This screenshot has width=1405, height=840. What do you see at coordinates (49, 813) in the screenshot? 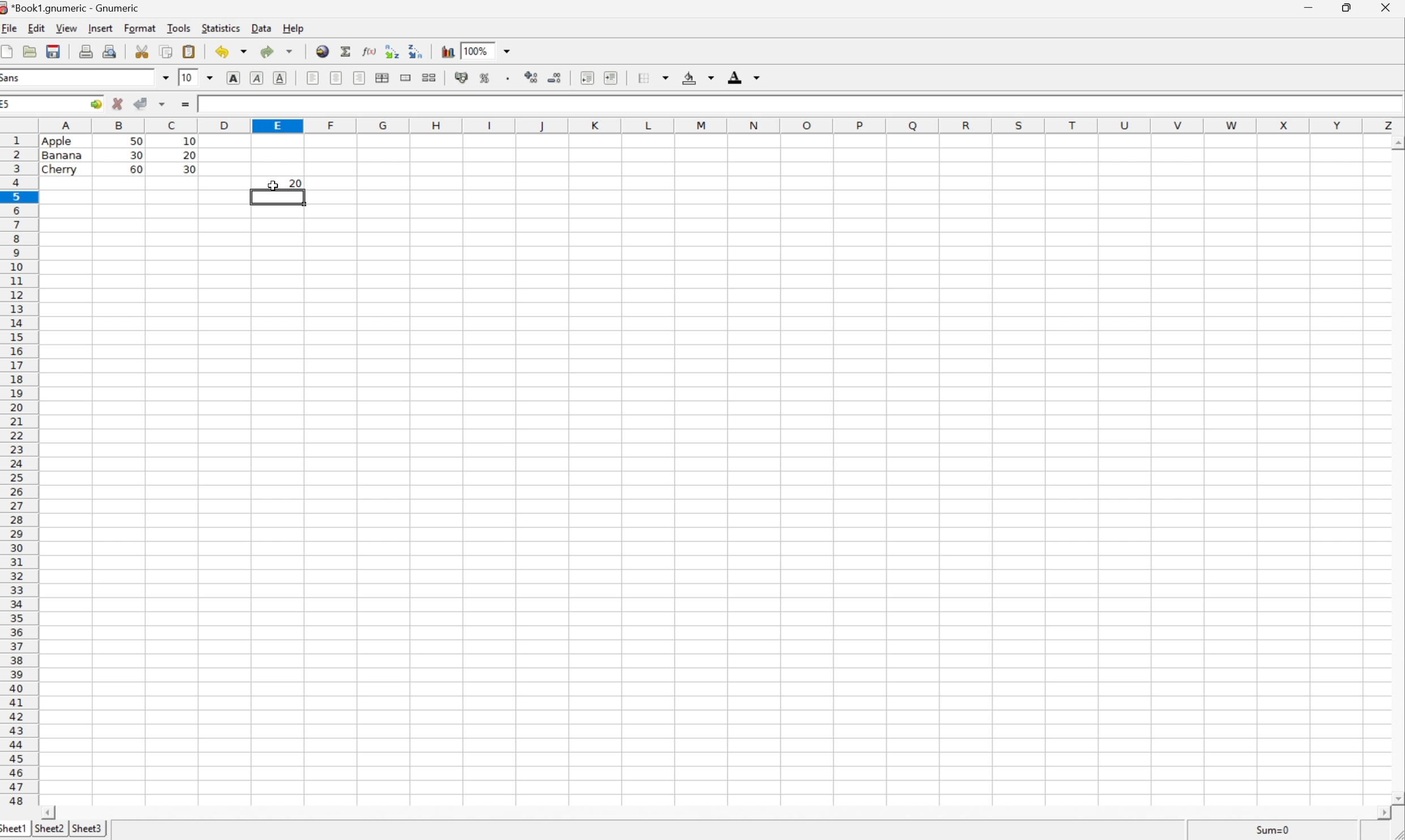
I see `scroll left` at bounding box center [49, 813].